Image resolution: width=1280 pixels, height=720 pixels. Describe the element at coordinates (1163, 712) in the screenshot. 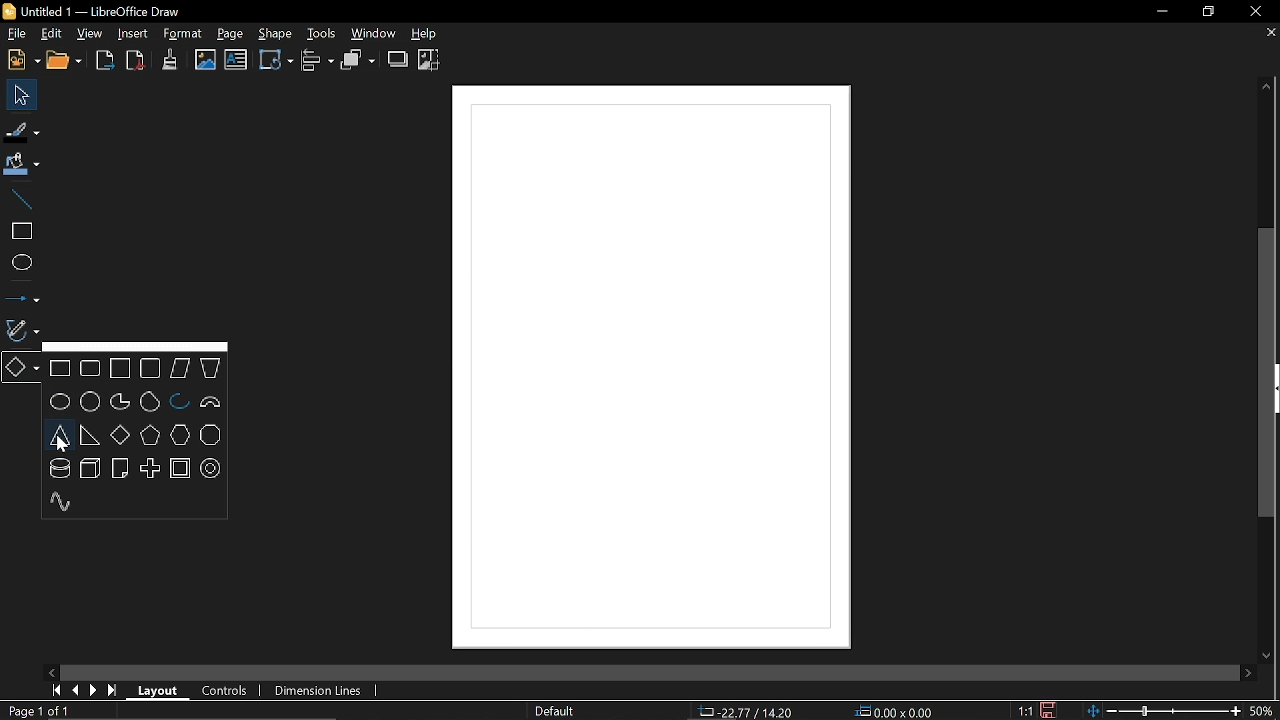

I see `Change zopm` at that location.